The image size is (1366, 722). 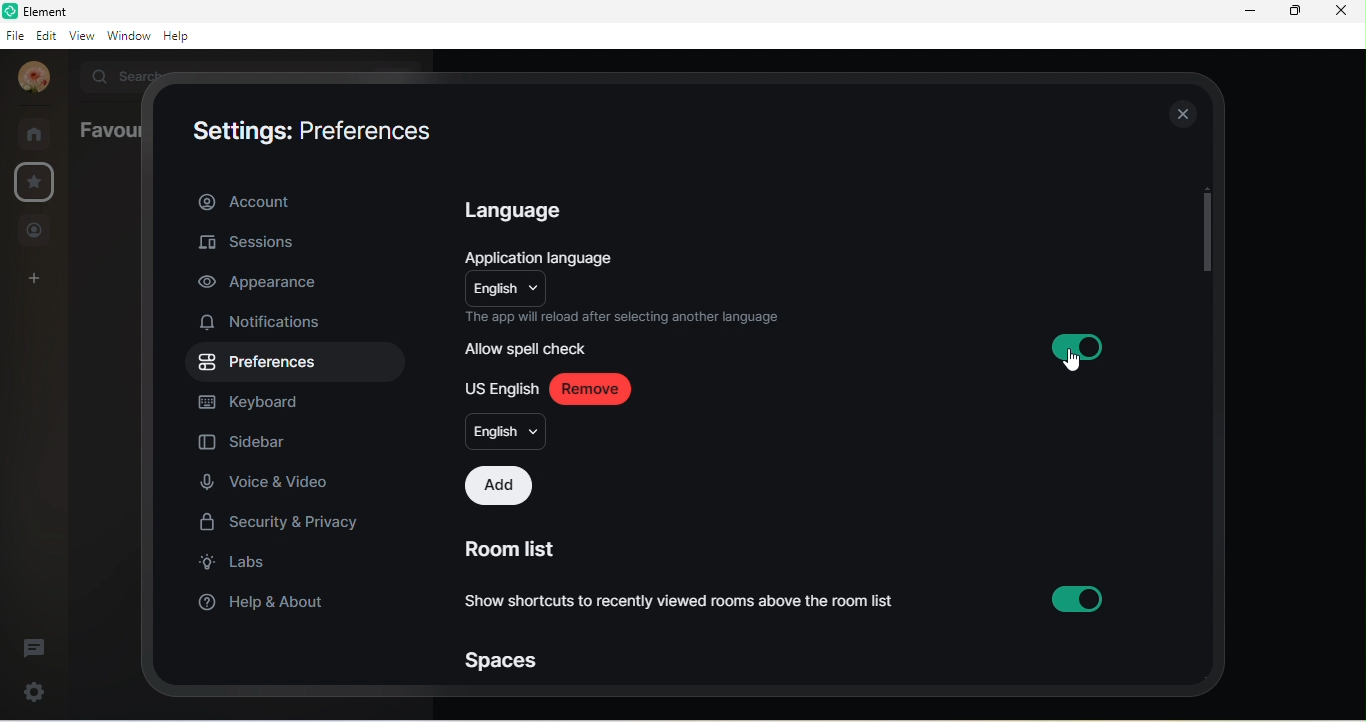 I want to click on security and privacy, so click(x=283, y=520).